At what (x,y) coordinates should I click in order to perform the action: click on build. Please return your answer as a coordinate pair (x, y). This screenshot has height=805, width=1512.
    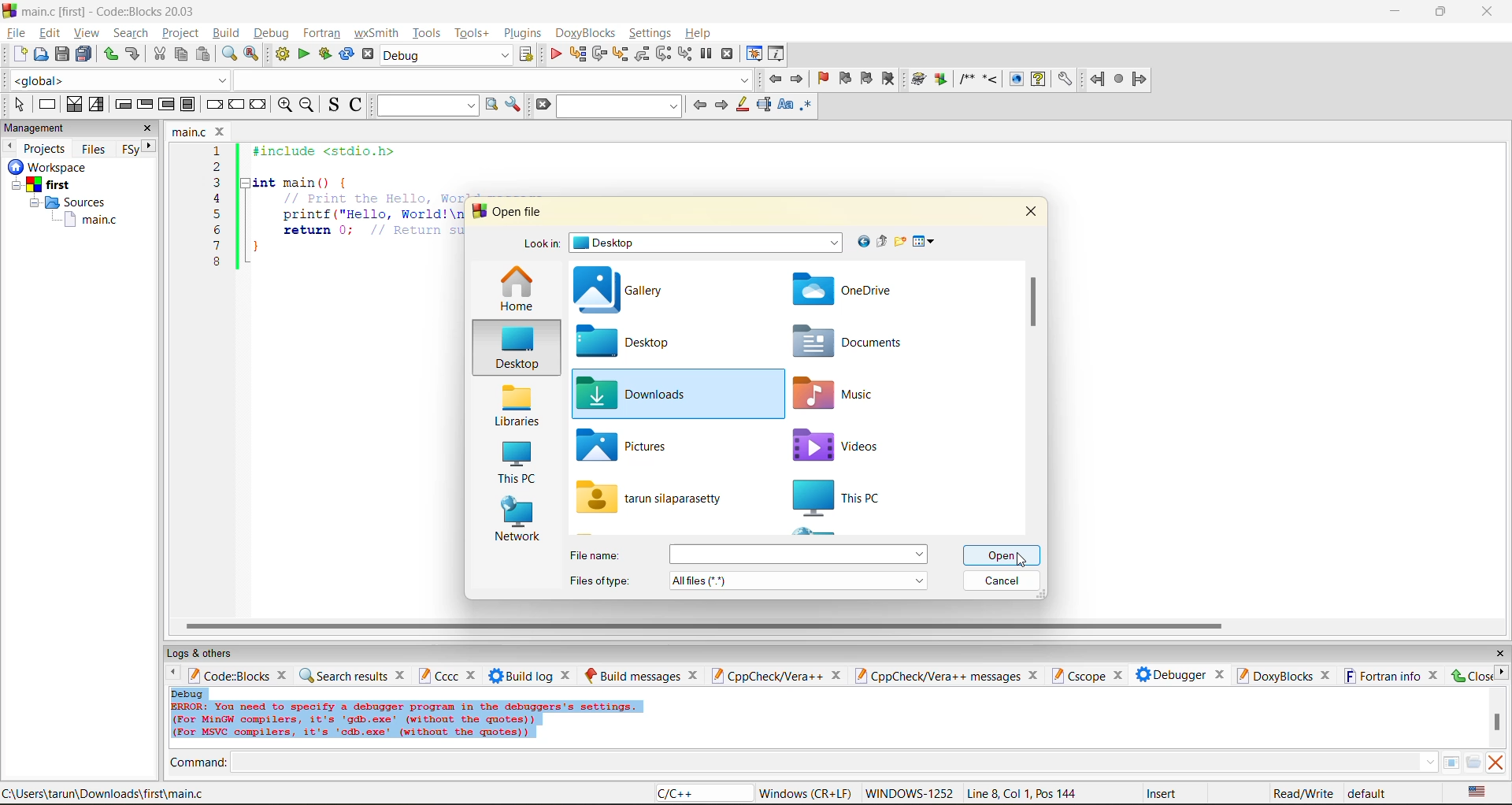
    Looking at the image, I should click on (282, 54).